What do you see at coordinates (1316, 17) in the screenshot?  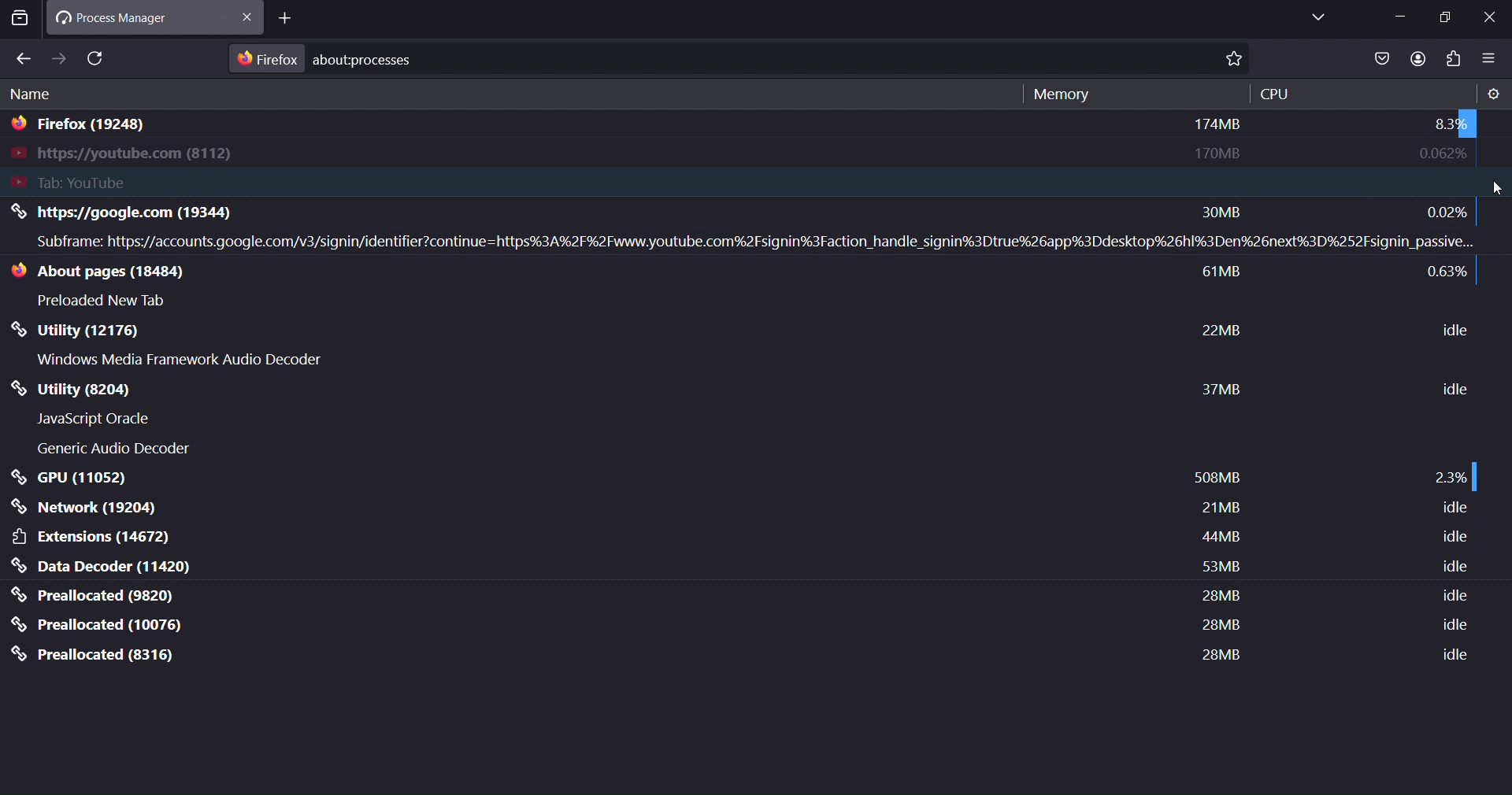 I see `list all tabs` at bounding box center [1316, 17].